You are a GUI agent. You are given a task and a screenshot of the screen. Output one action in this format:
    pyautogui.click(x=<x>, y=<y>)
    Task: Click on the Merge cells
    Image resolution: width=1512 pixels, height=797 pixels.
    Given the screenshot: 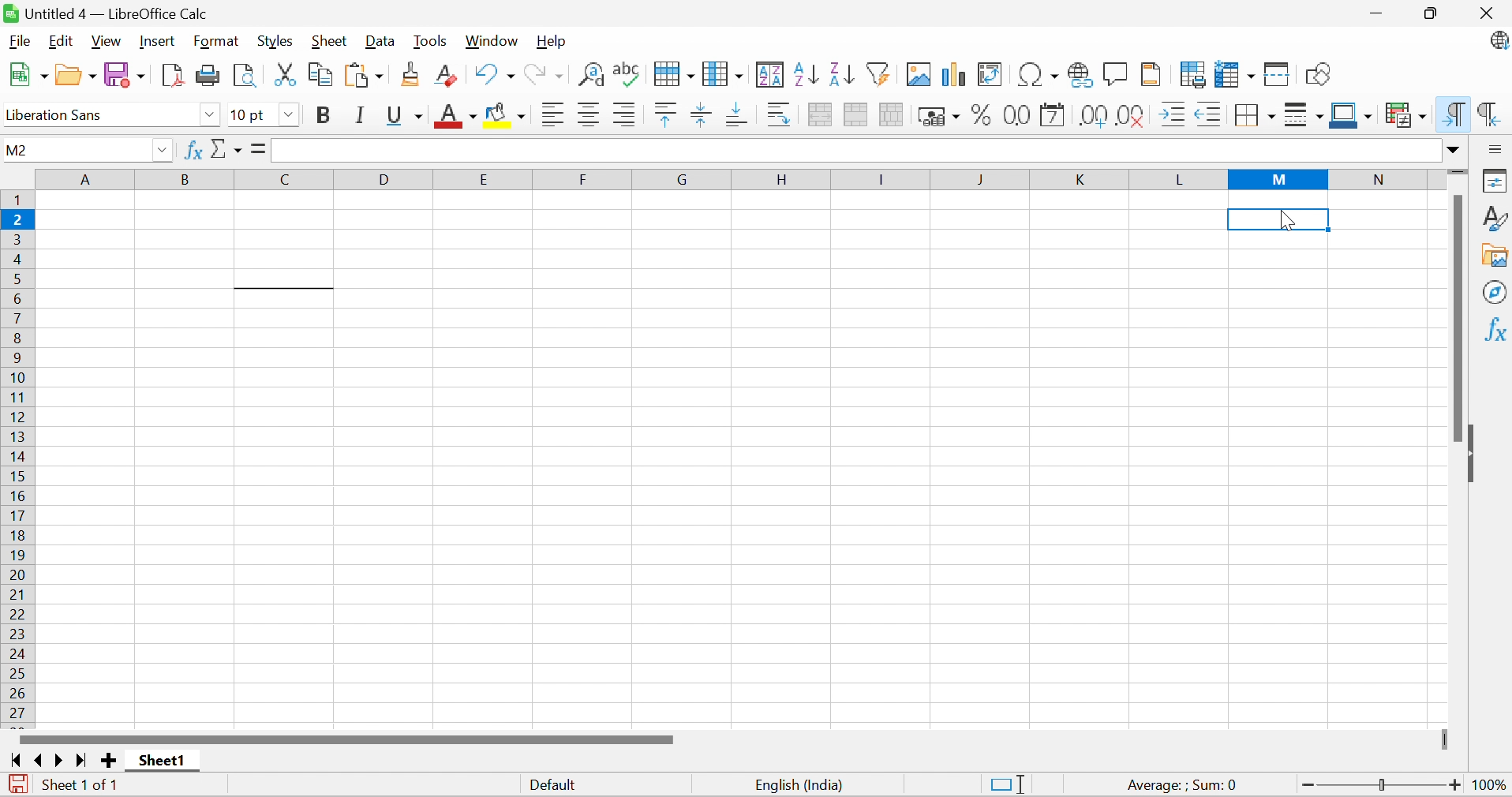 What is the action you would take?
    pyautogui.click(x=857, y=116)
    